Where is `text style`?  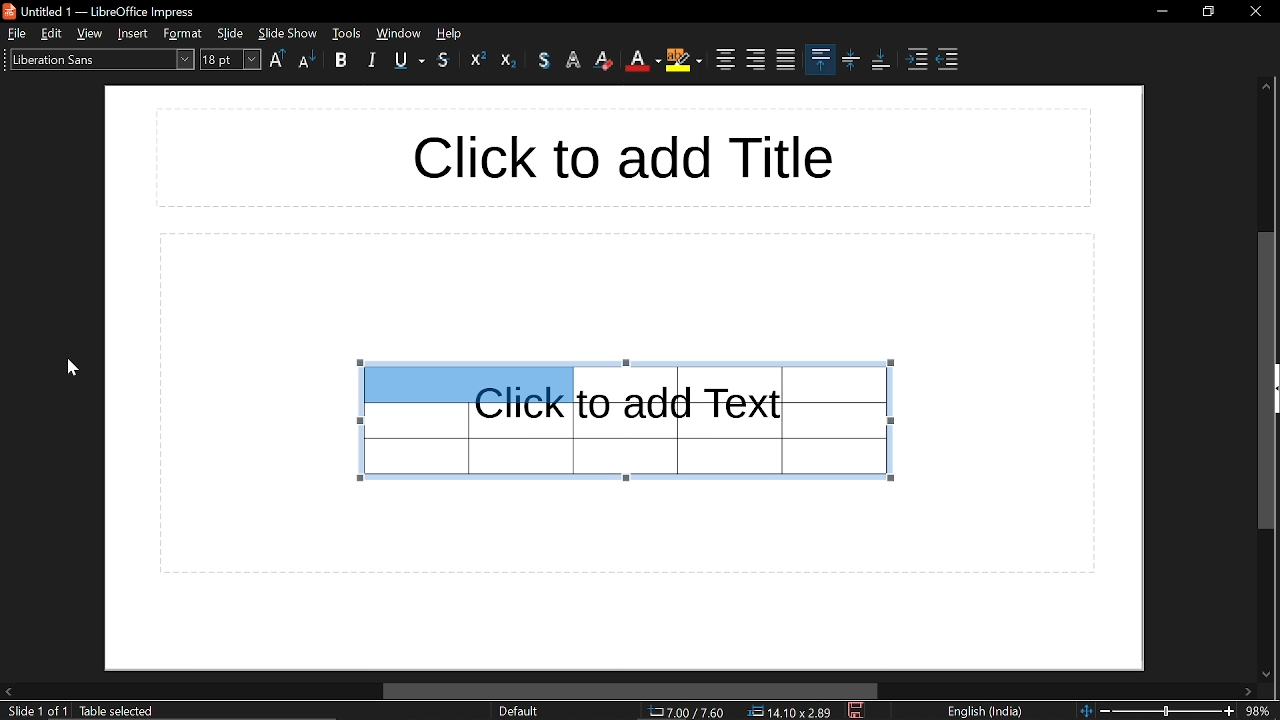 text style is located at coordinates (99, 59).